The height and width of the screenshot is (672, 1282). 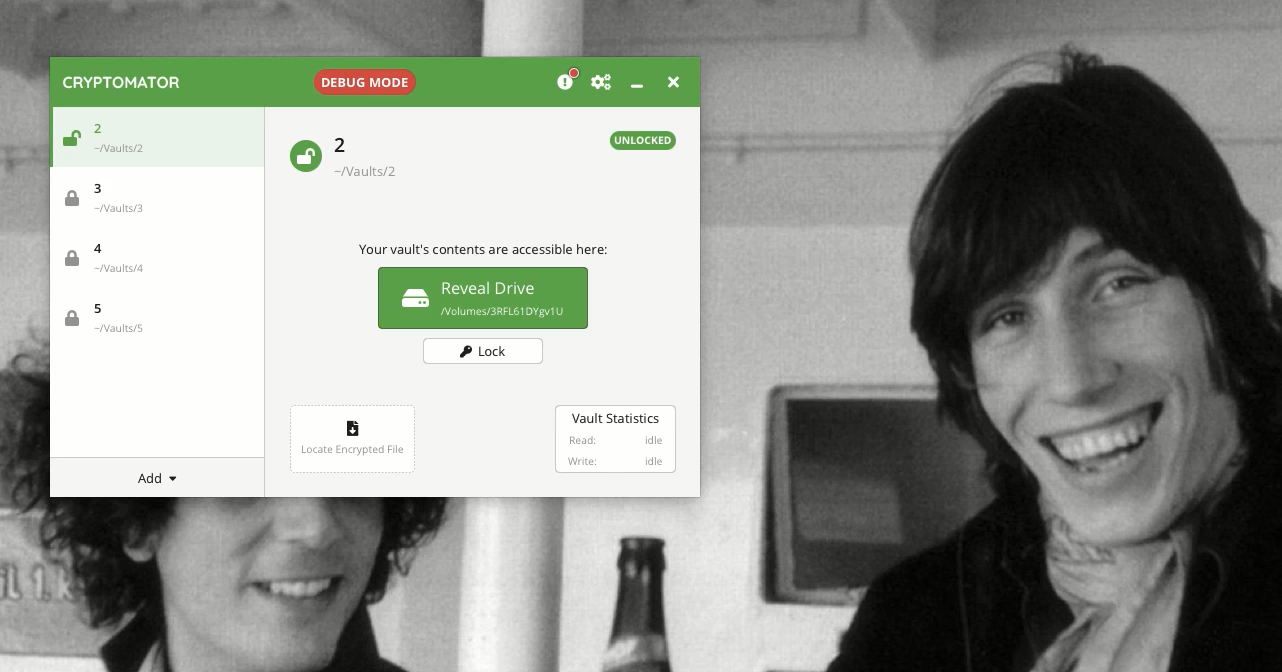 I want to click on Debug mode, so click(x=362, y=78).